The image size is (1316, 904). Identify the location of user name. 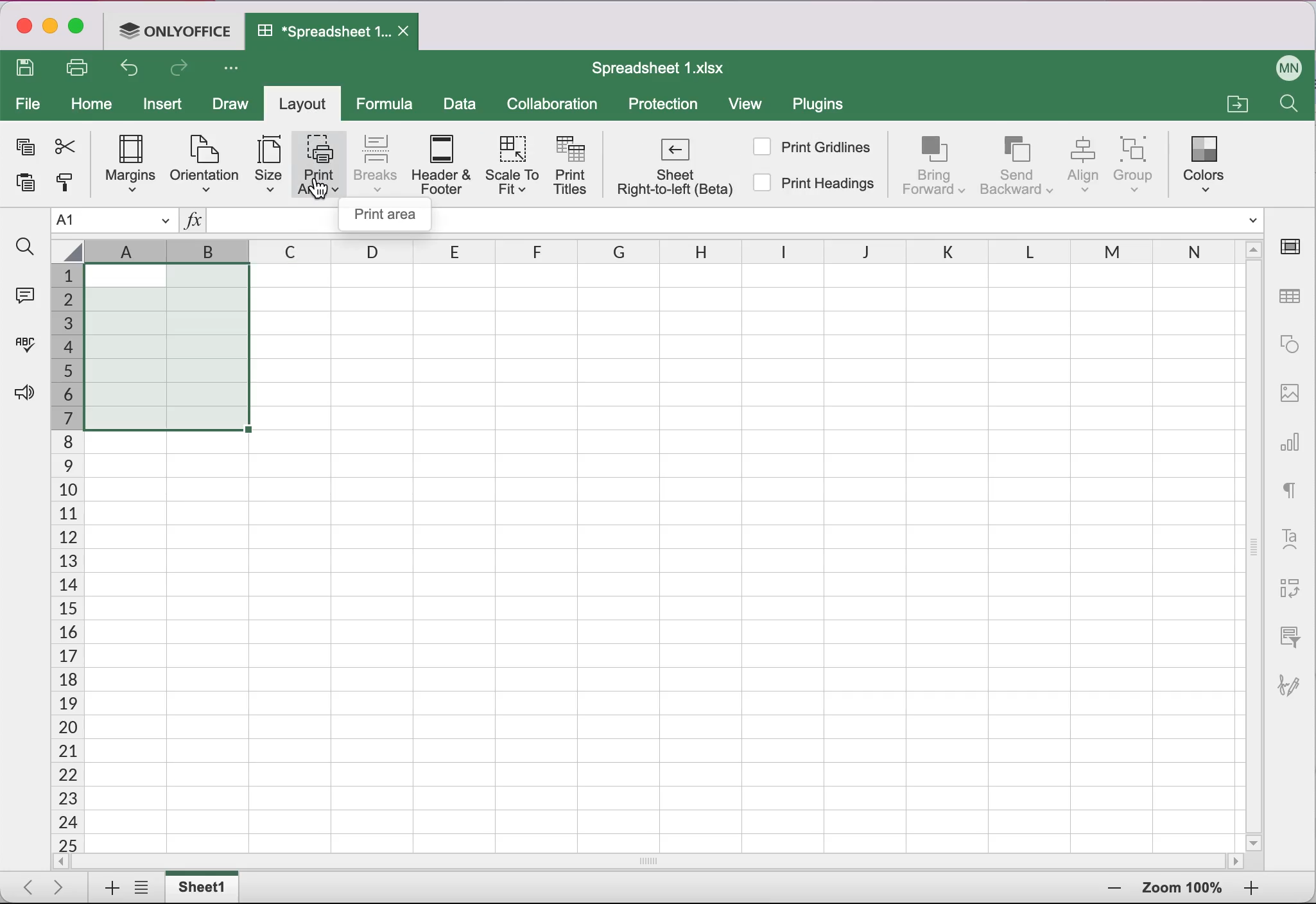
(1290, 65).